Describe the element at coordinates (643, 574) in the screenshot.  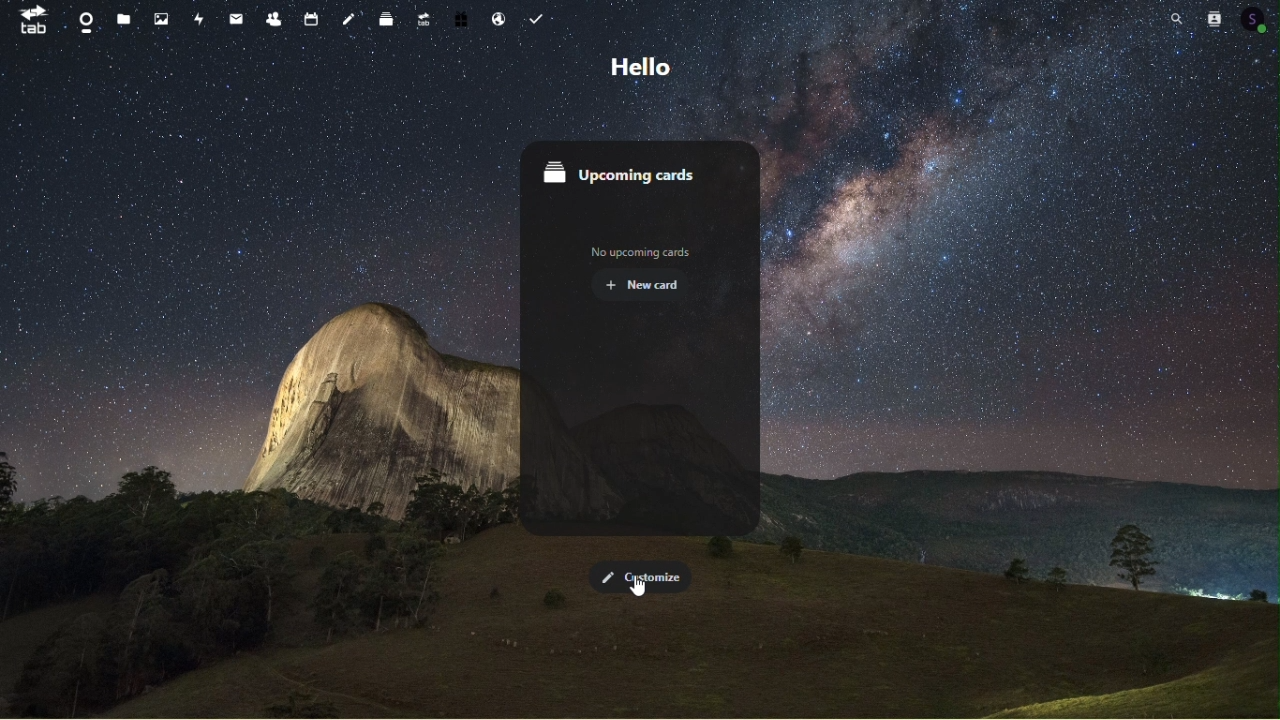
I see `Customise` at that location.